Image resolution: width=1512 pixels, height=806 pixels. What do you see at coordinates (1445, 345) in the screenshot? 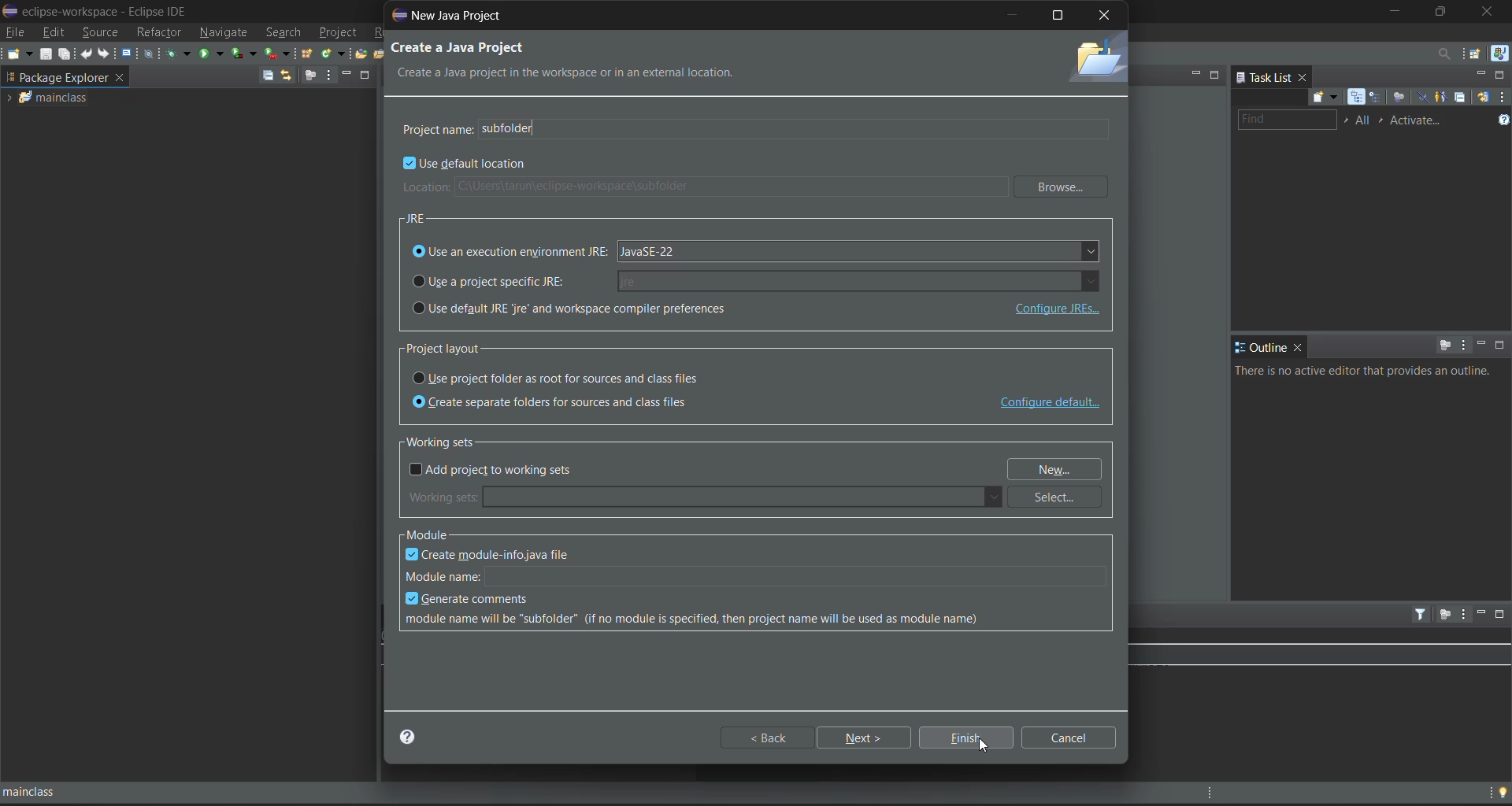
I see `focus on active task` at bounding box center [1445, 345].